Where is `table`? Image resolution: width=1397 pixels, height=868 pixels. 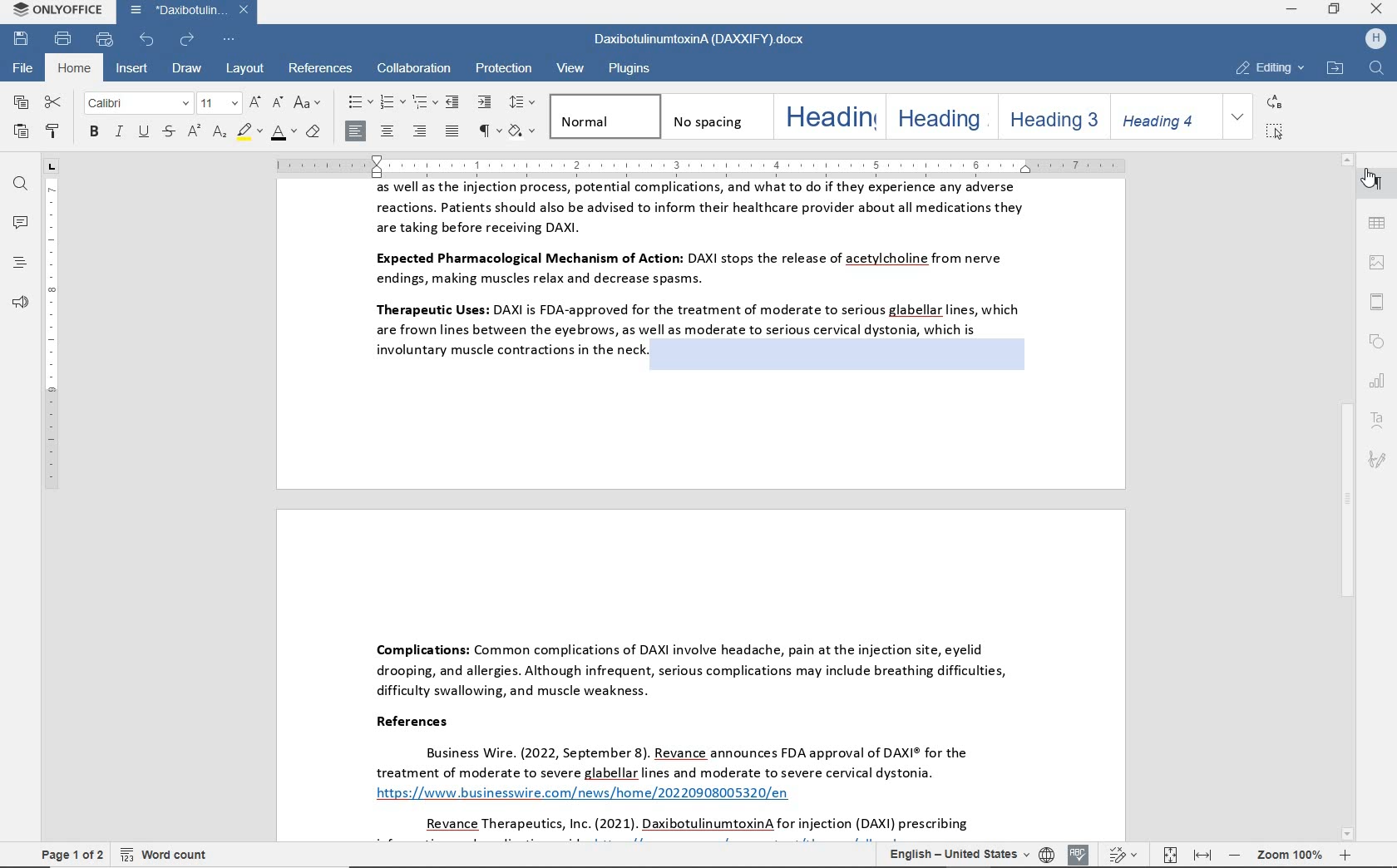
table is located at coordinates (1375, 224).